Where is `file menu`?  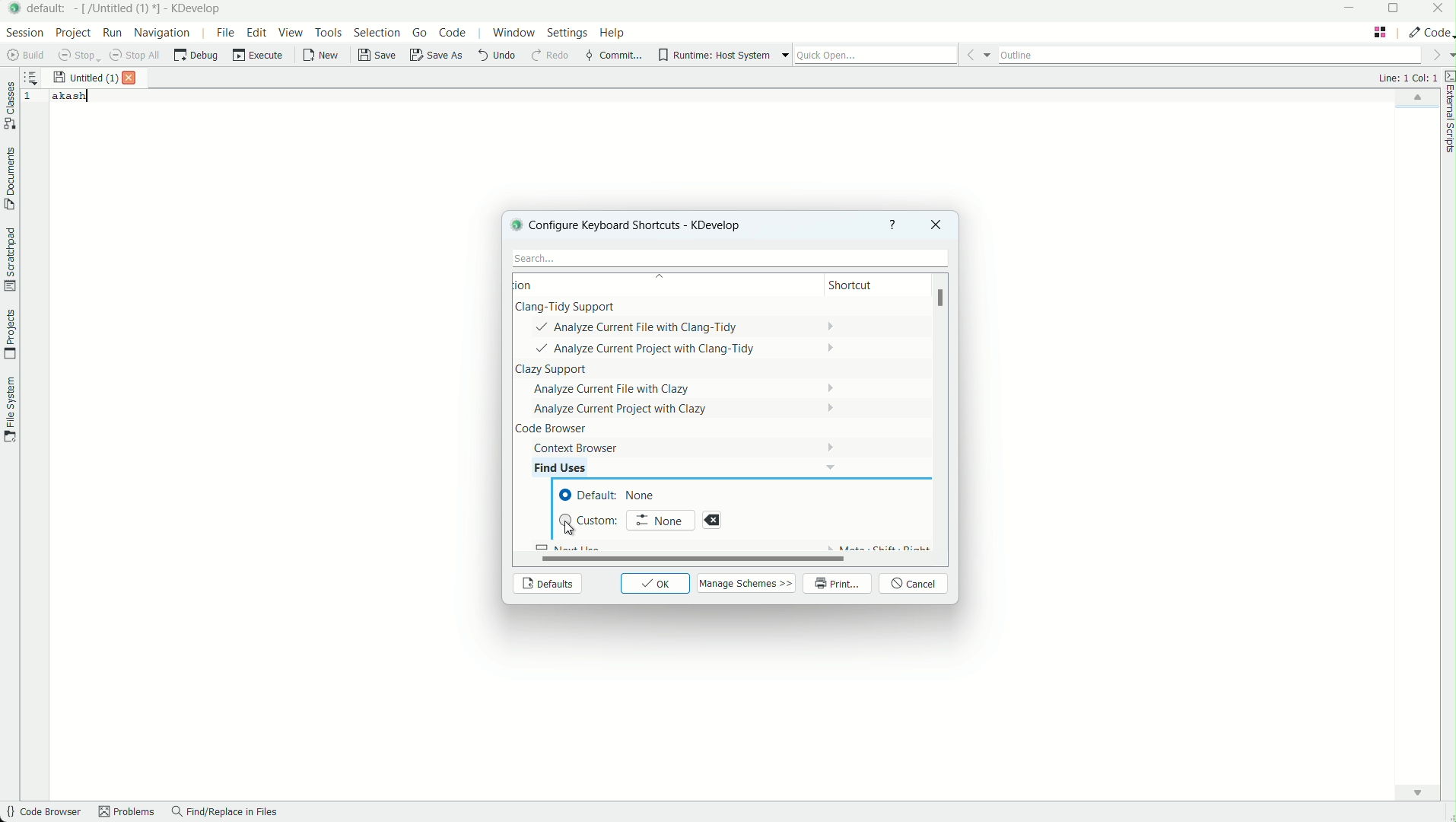
file menu is located at coordinates (224, 32).